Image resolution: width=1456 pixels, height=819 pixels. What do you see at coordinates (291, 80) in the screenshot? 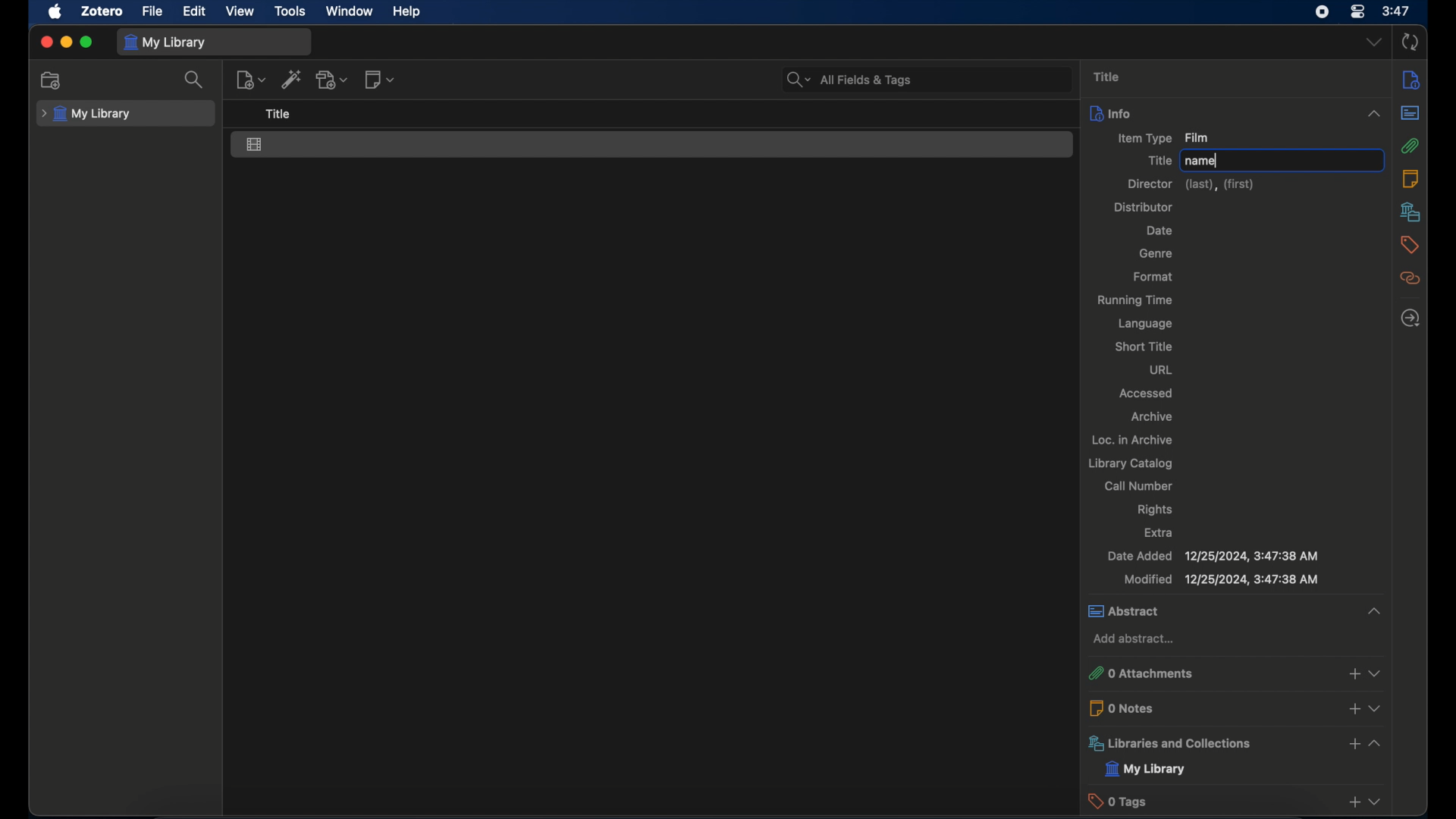
I see `add item by identifier` at bounding box center [291, 80].